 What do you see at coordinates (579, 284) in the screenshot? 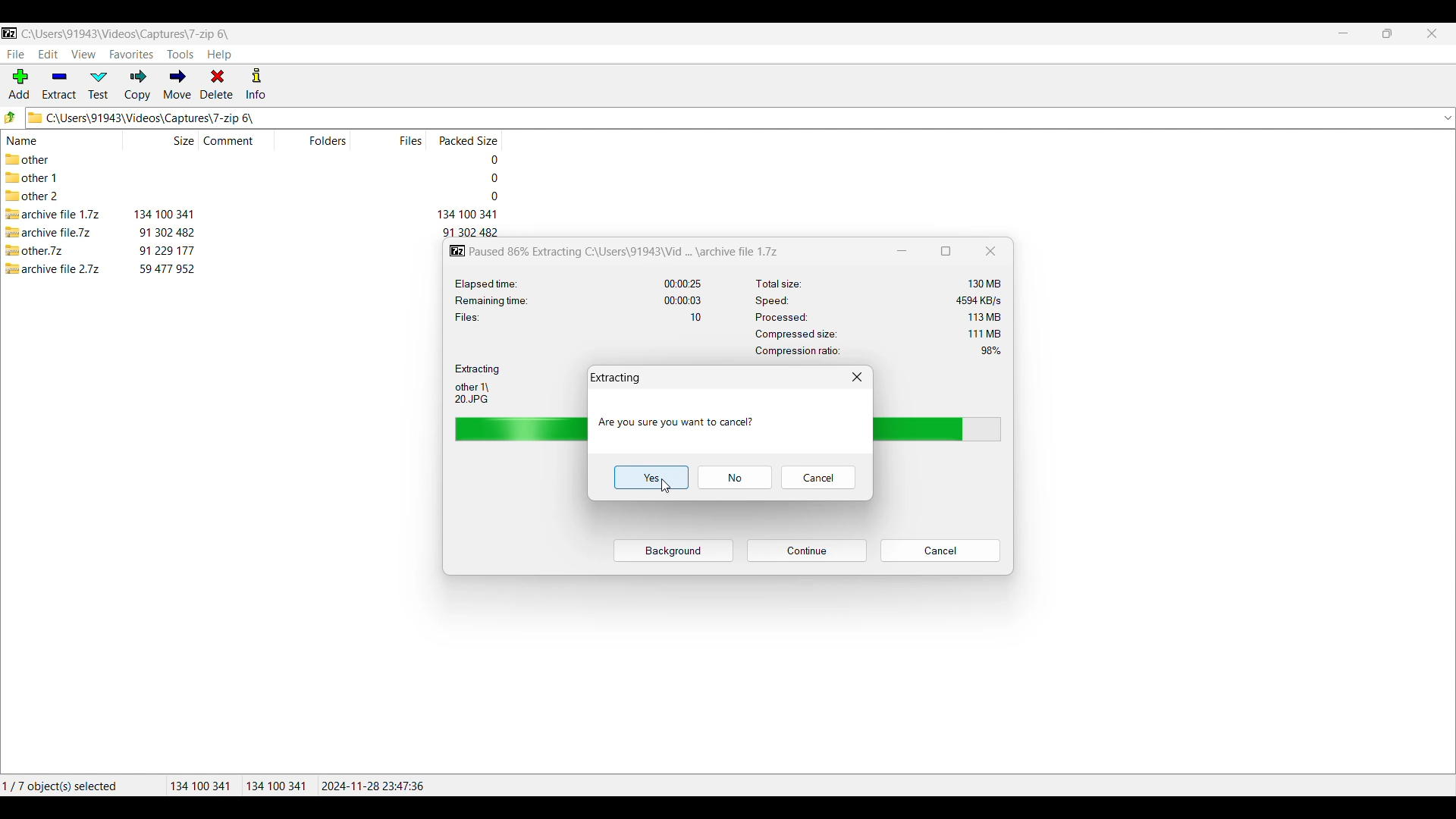
I see `Elapsed time: 00:00:25` at bounding box center [579, 284].